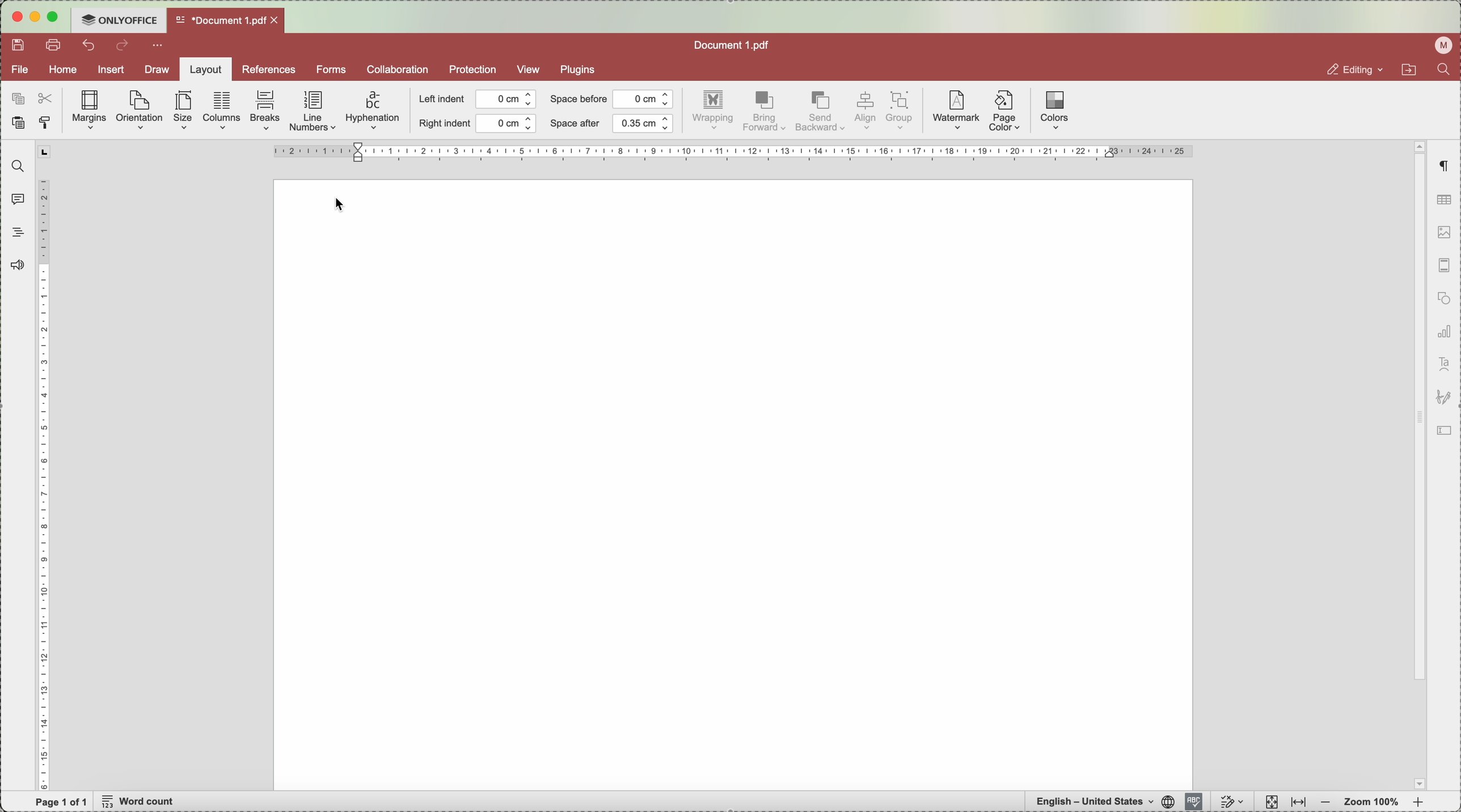 This screenshot has width=1461, height=812. Describe the element at coordinates (1443, 365) in the screenshot. I see `text art settings` at that location.